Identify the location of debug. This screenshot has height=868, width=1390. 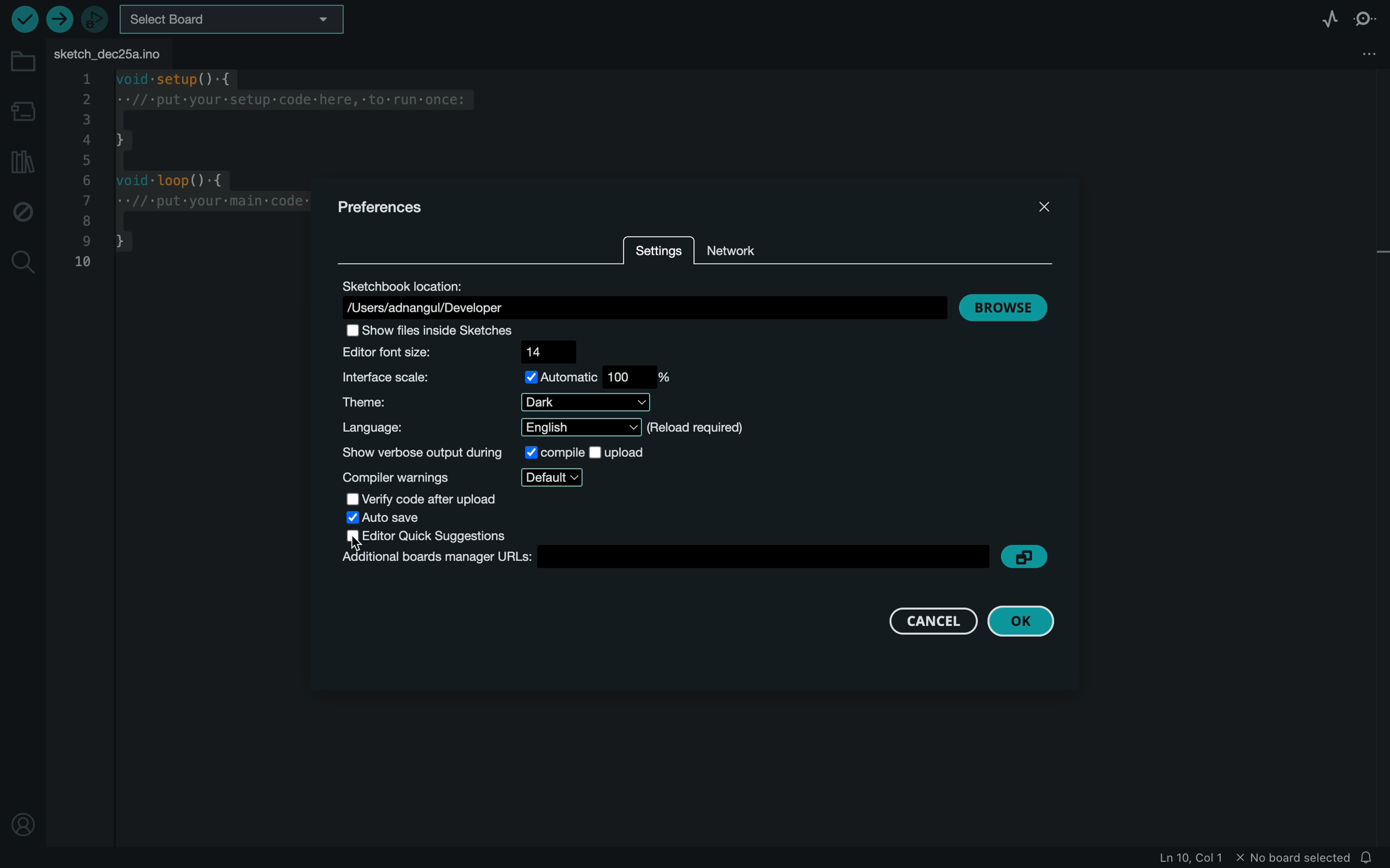
(22, 211).